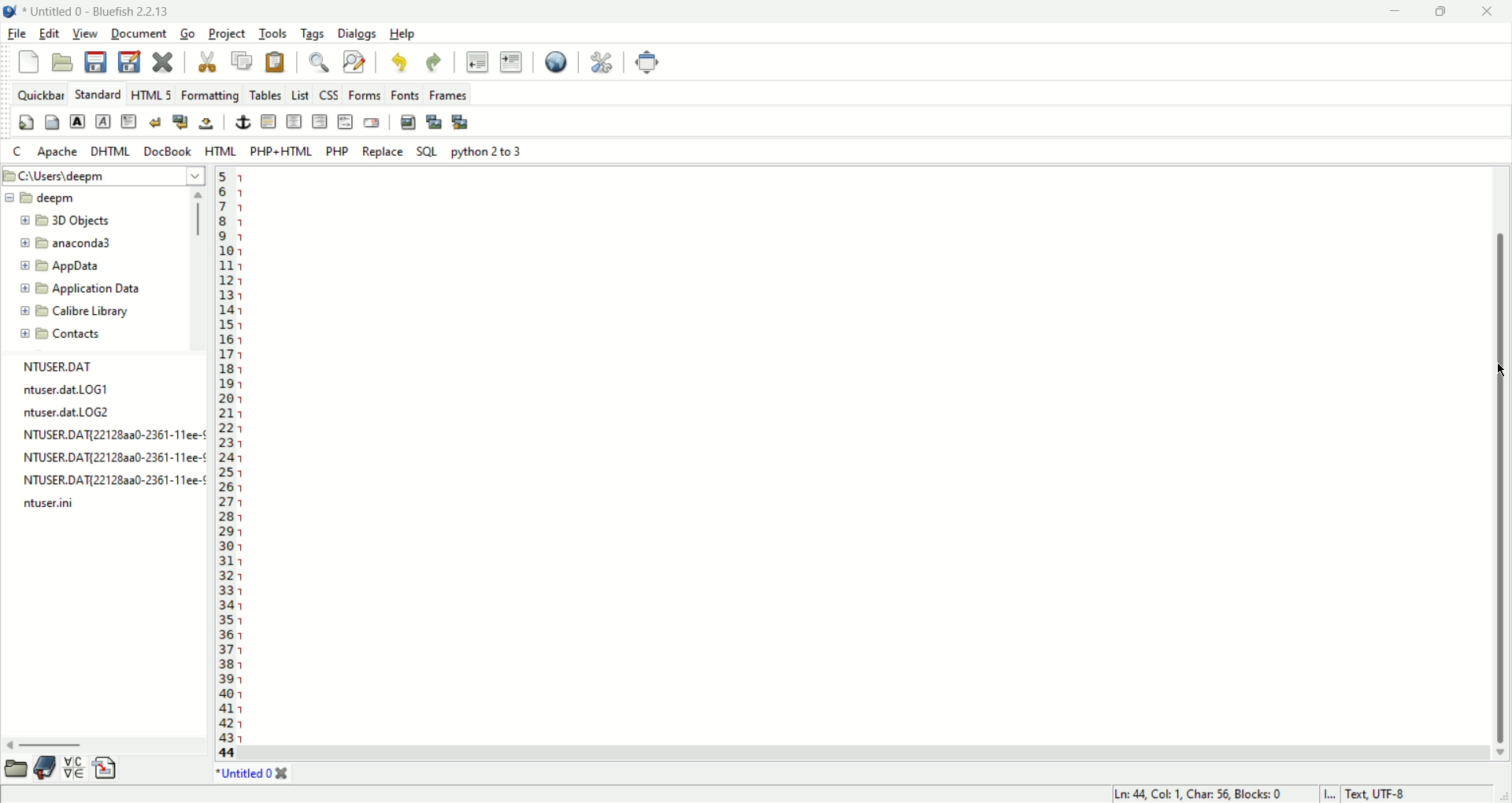  I want to click on document name, so click(109, 10).